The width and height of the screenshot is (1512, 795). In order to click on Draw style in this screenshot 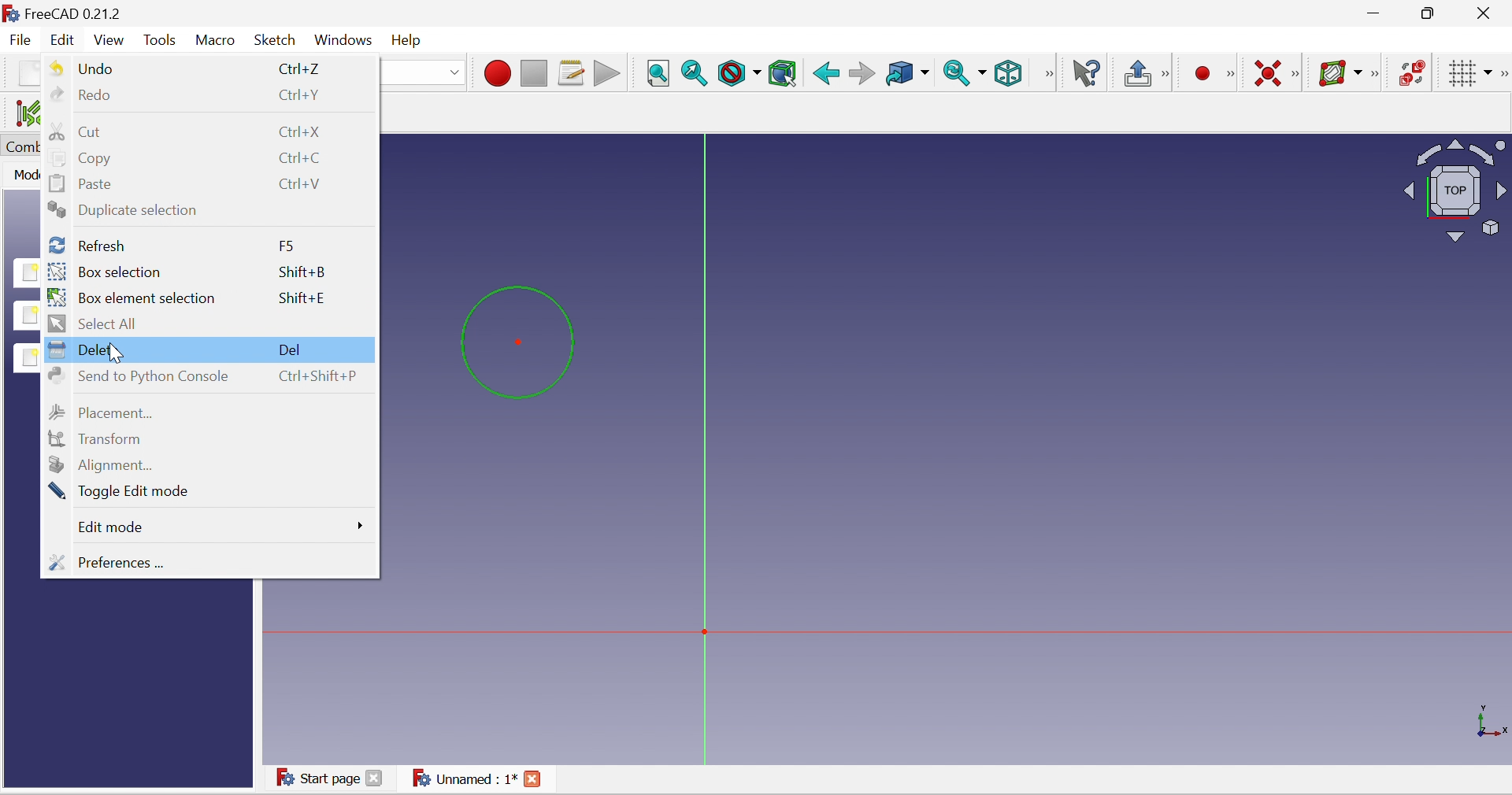, I will do `click(739, 75)`.